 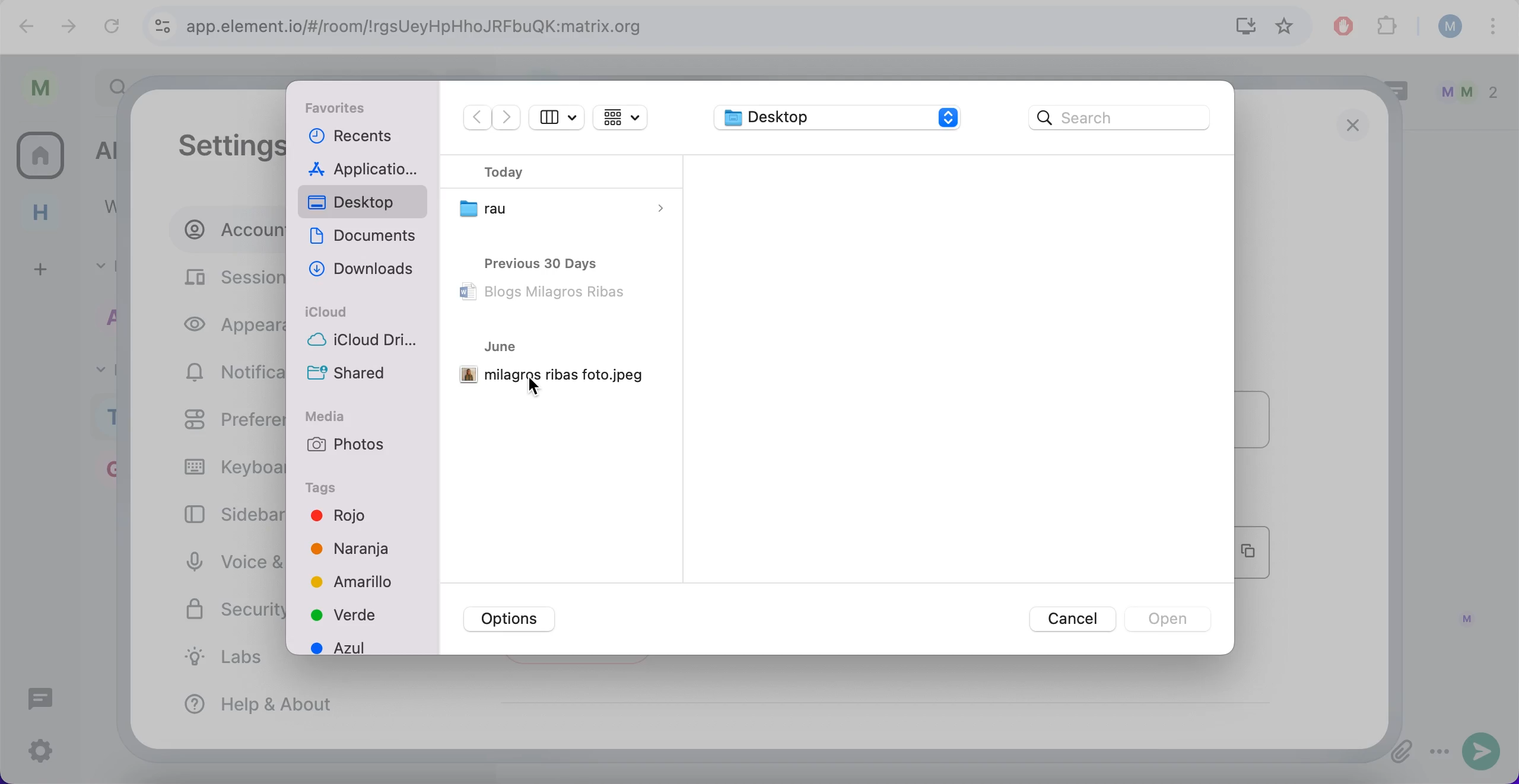 I want to click on help and about, so click(x=279, y=706).